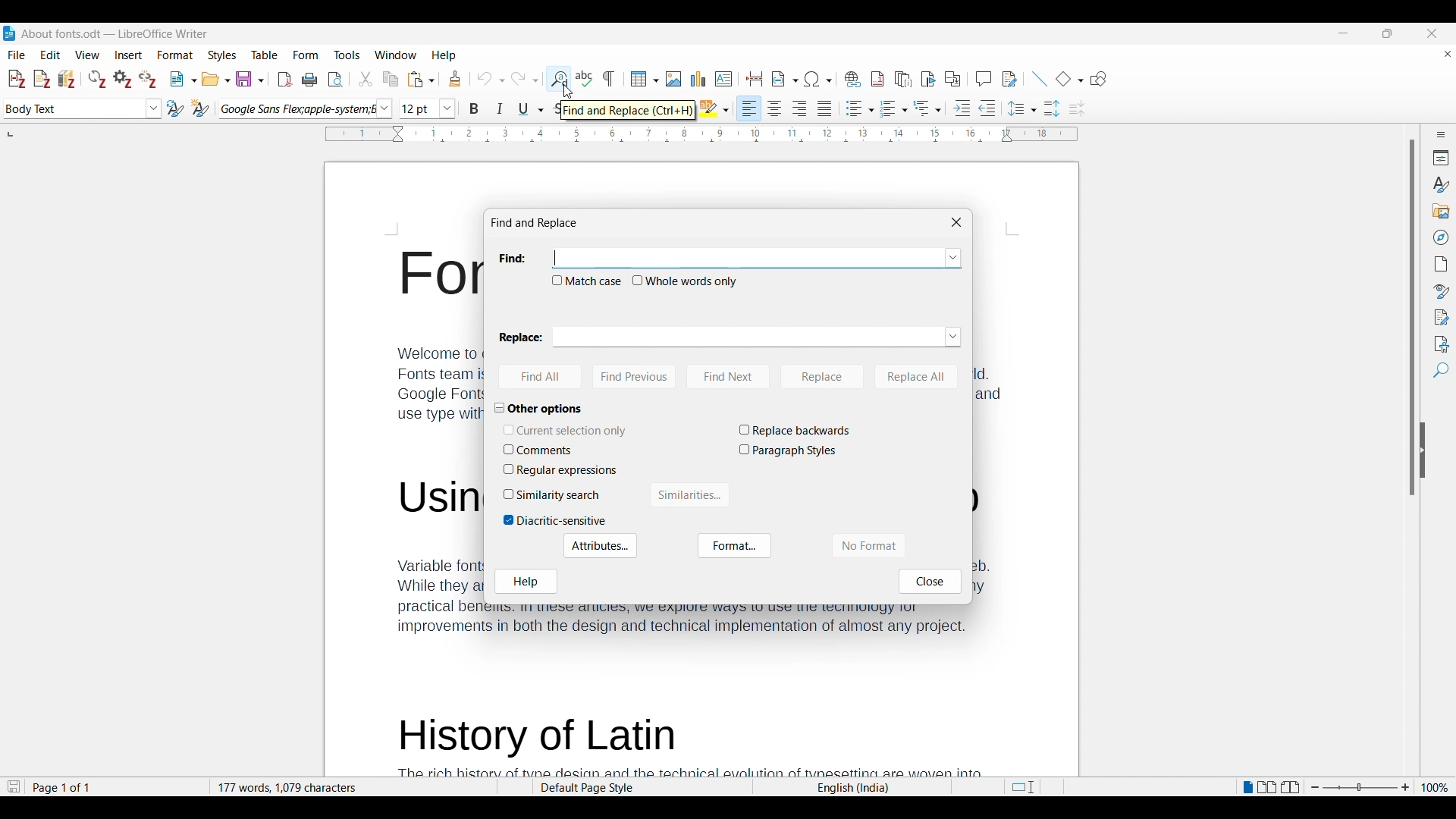  What do you see at coordinates (540, 377) in the screenshot?
I see `Find all` at bounding box center [540, 377].